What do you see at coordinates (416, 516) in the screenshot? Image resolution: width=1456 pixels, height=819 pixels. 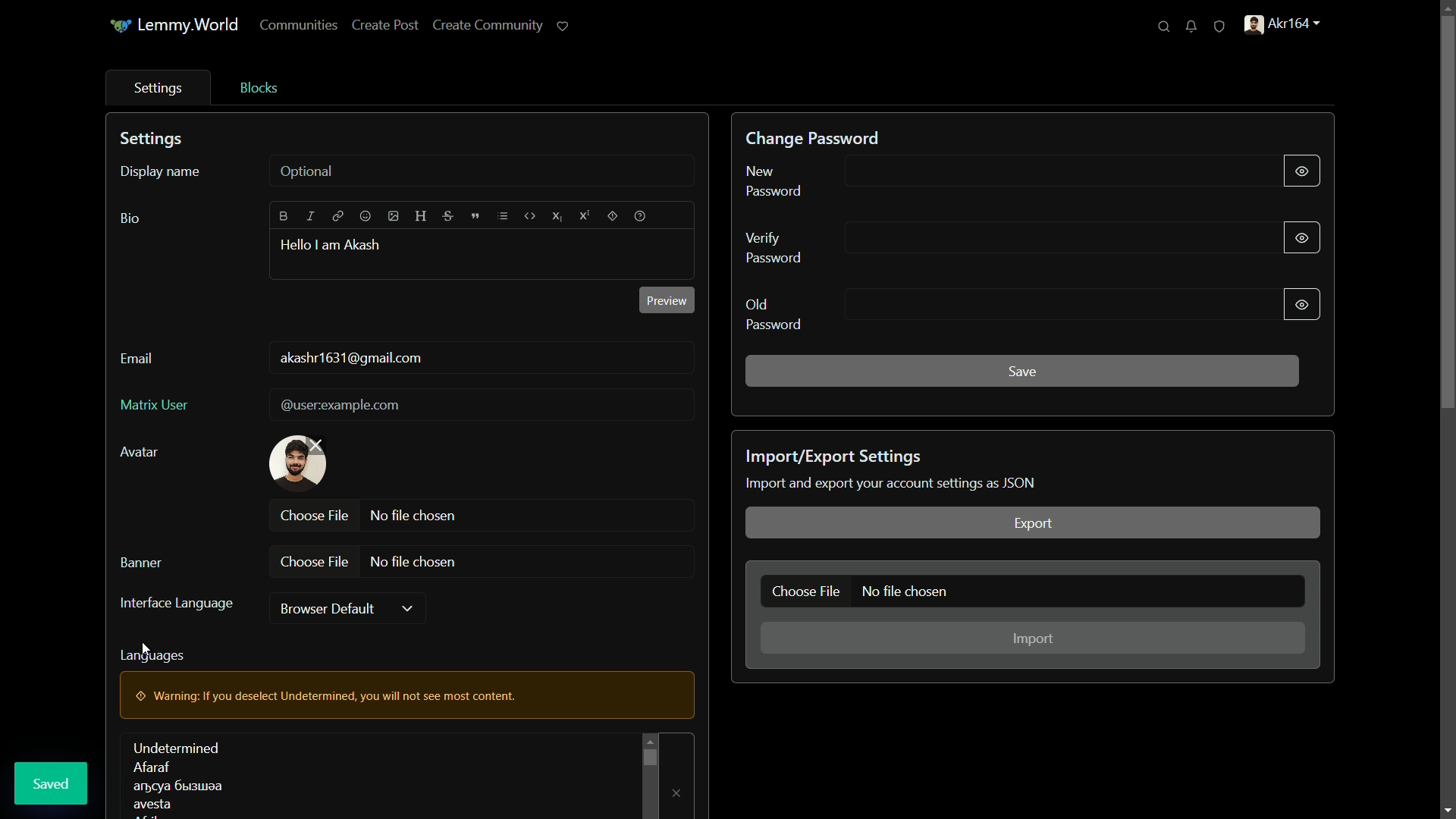 I see `no file chosen` at bounding box center [416, 516].